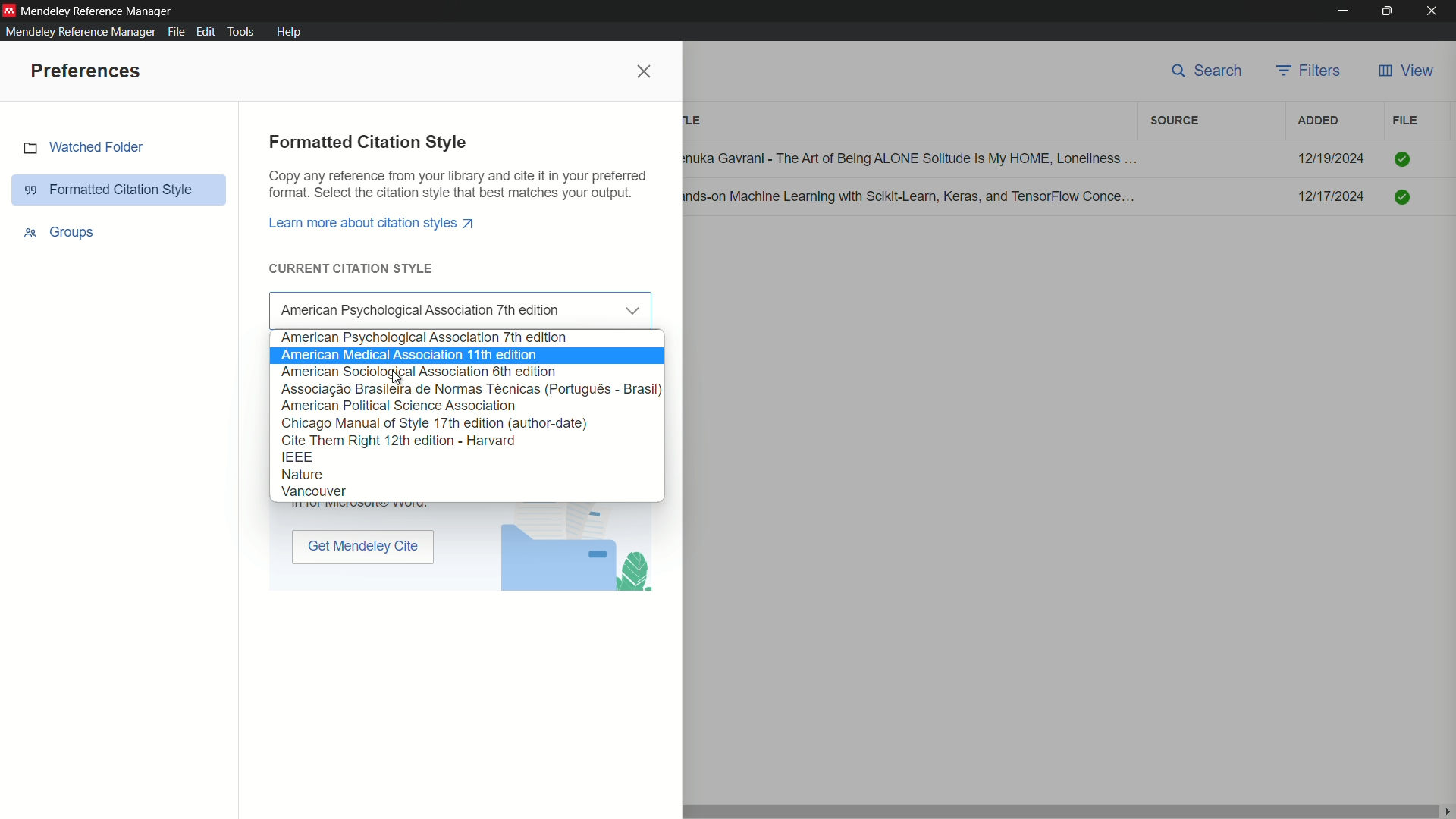  Describe the element at coordinates (1207, 74) in the screenshot. I see `search` at that location.